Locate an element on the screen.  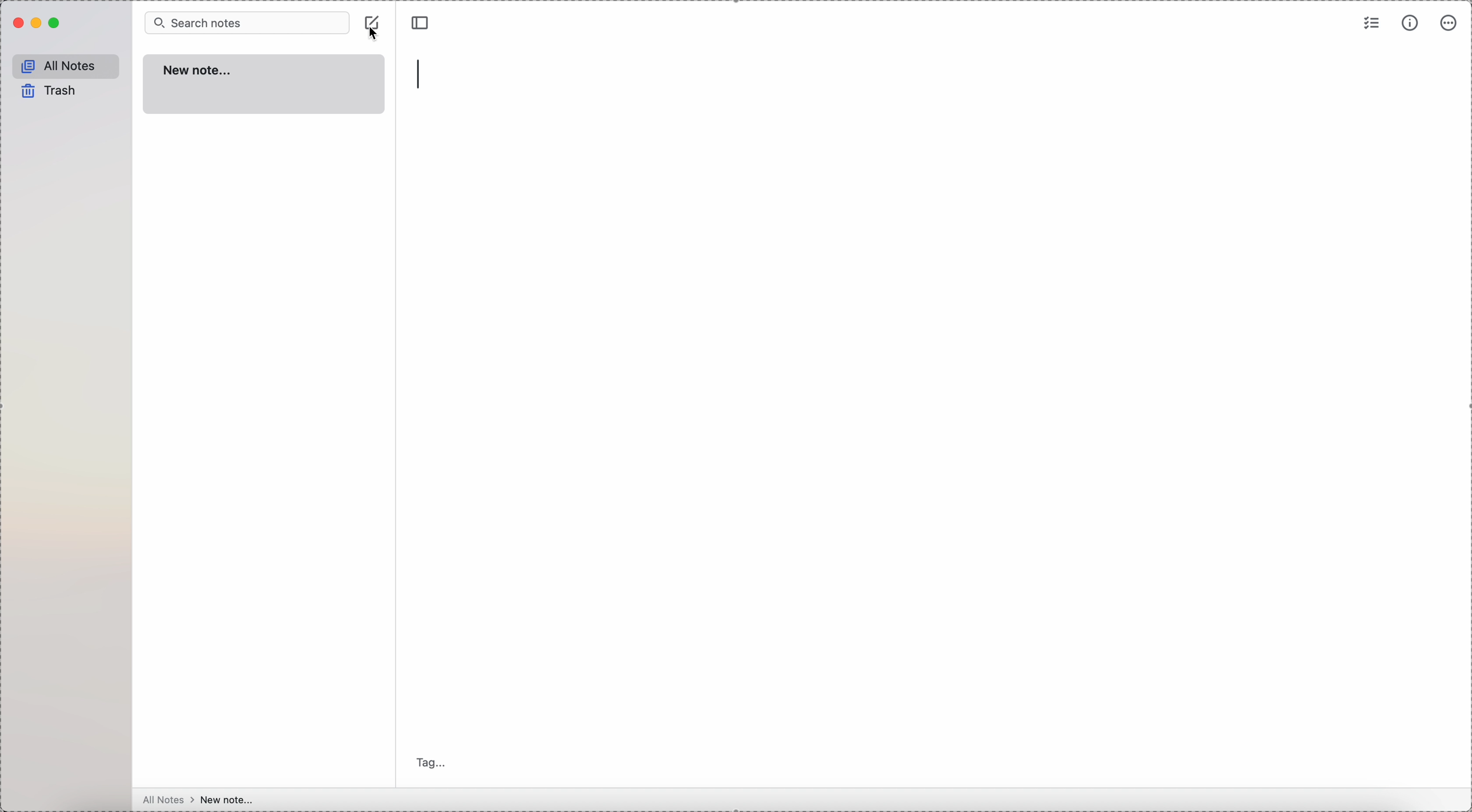
check list is located at coordinates (1370, 24).